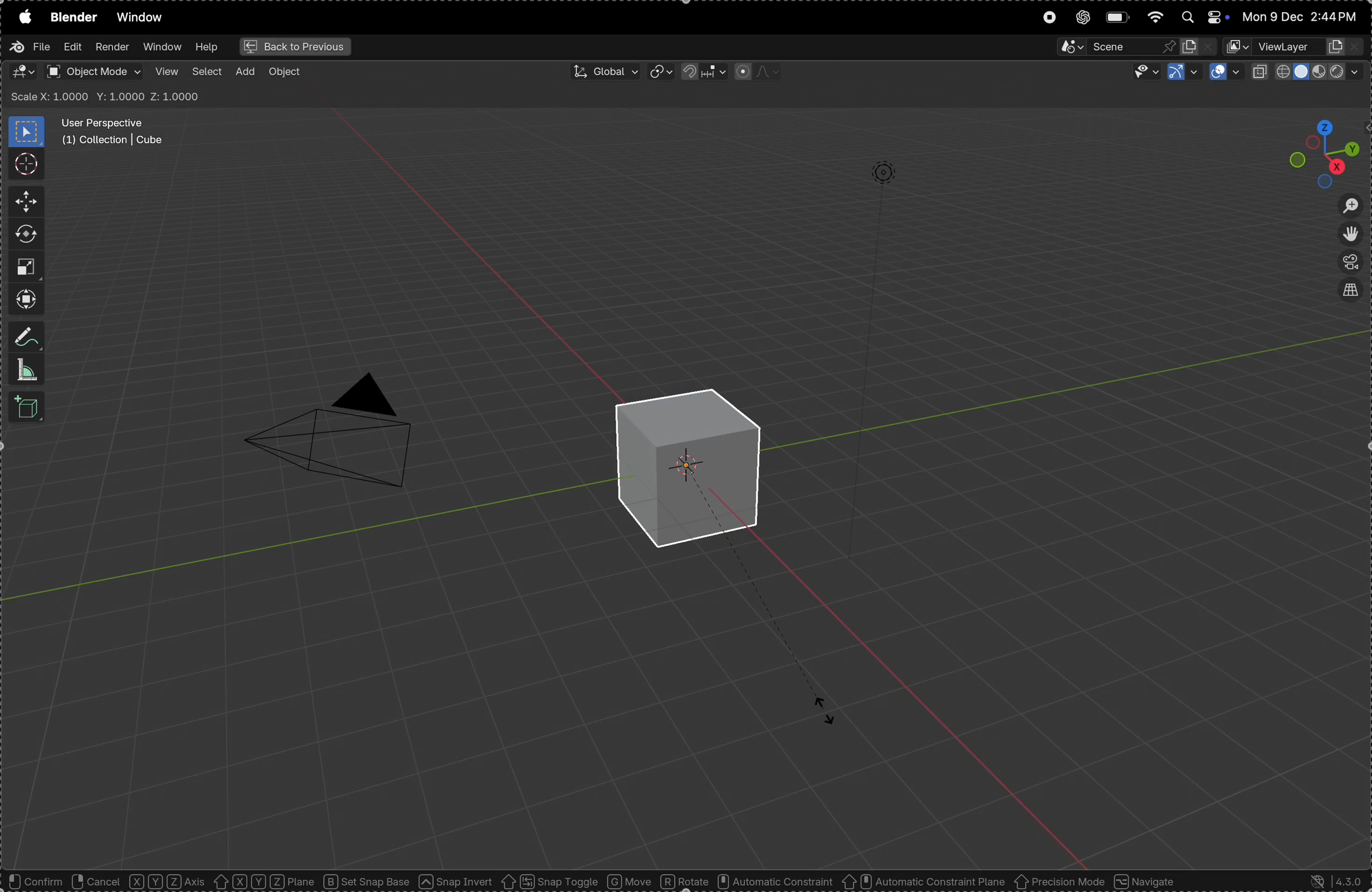 This screenshot has width=1372, height=892. What do you see at coordinates (29, 882) in the screenshot?
I see `select` at bounding box center [29, 882].